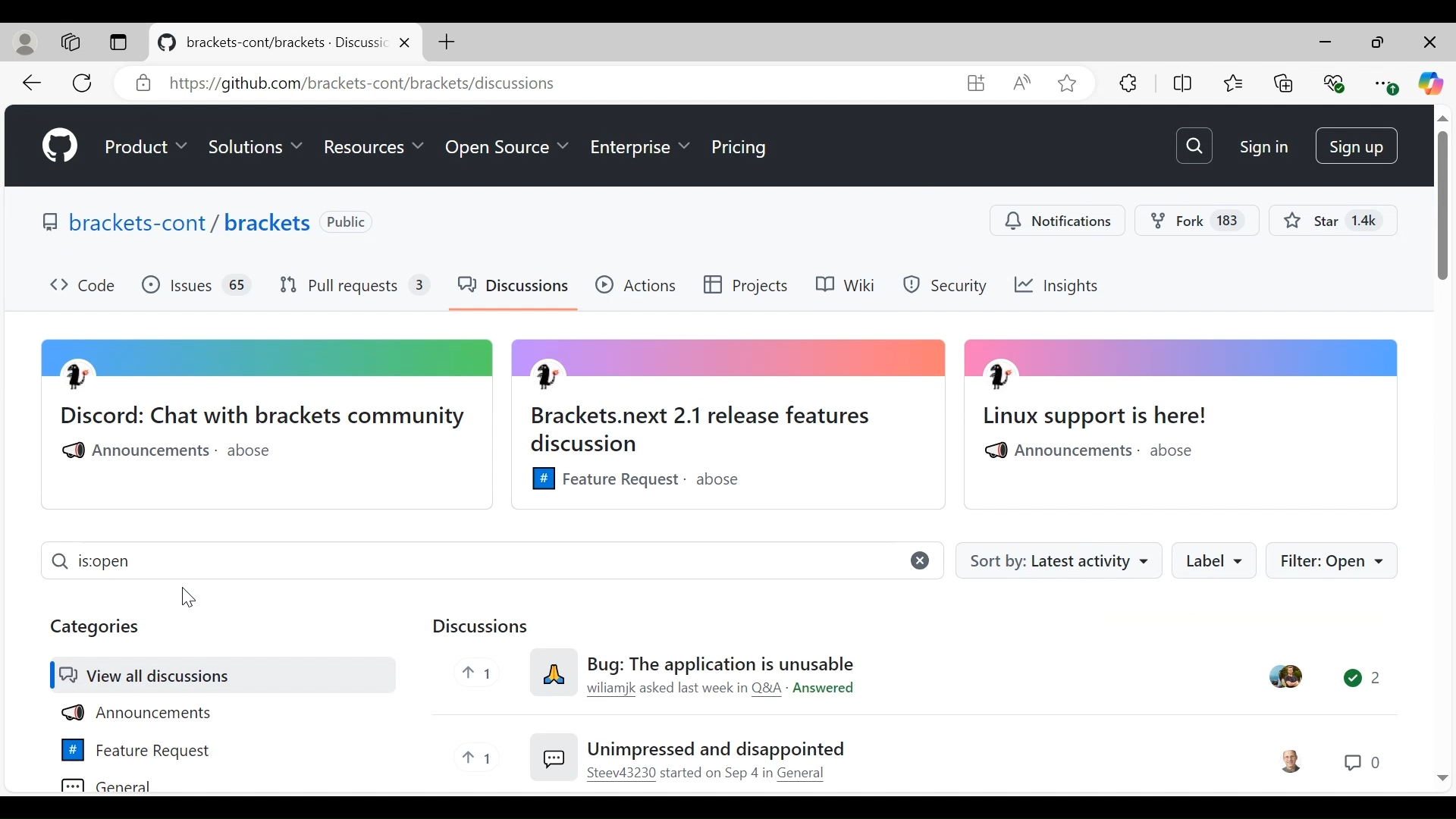 This screenshot has height=819, width=1456. What do you see at coordinates (1194, 147) in the screenshot?
I see `Search` at bounding box center [1194, 147].